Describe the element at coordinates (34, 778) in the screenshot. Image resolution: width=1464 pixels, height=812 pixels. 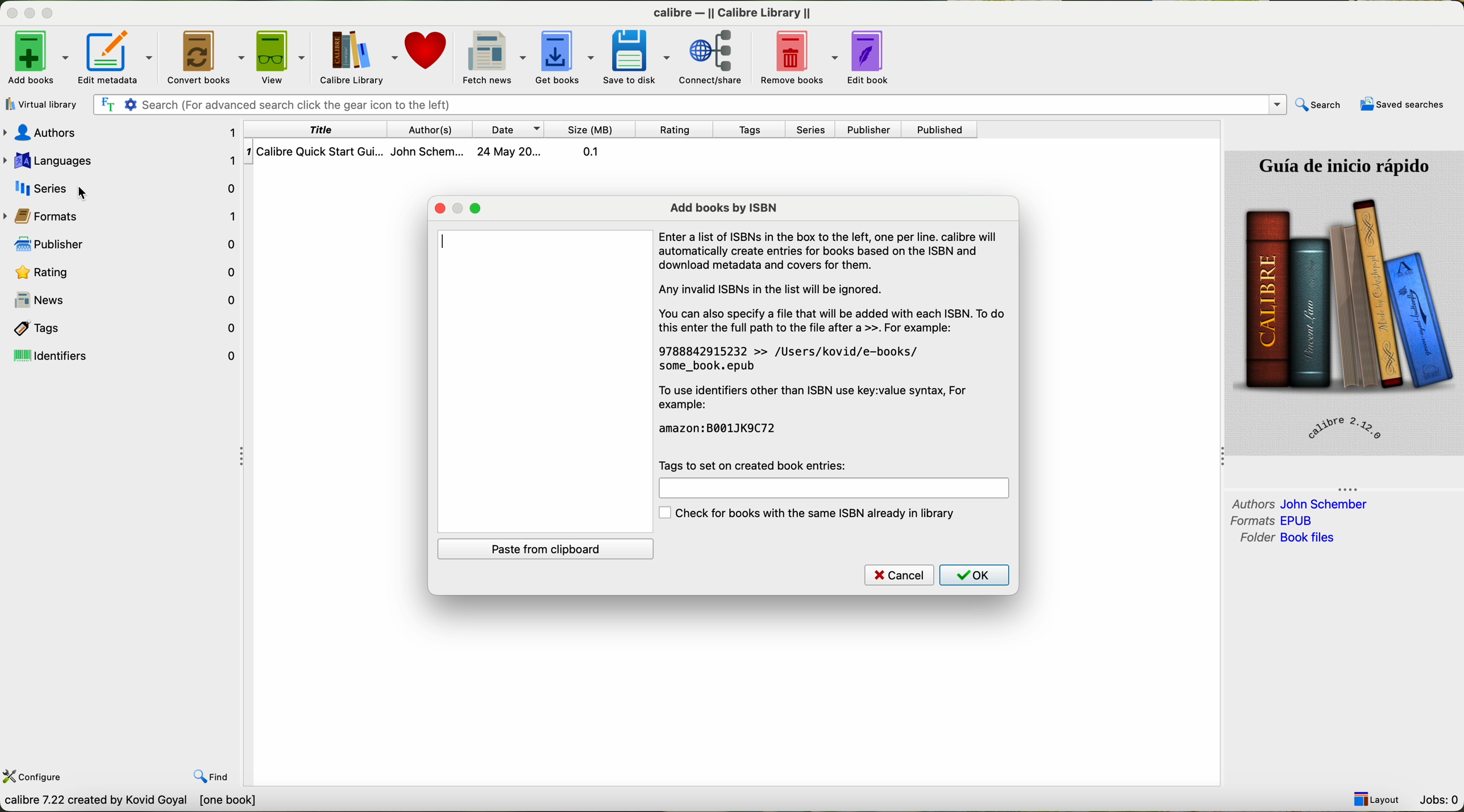
I see `configure` at that location.